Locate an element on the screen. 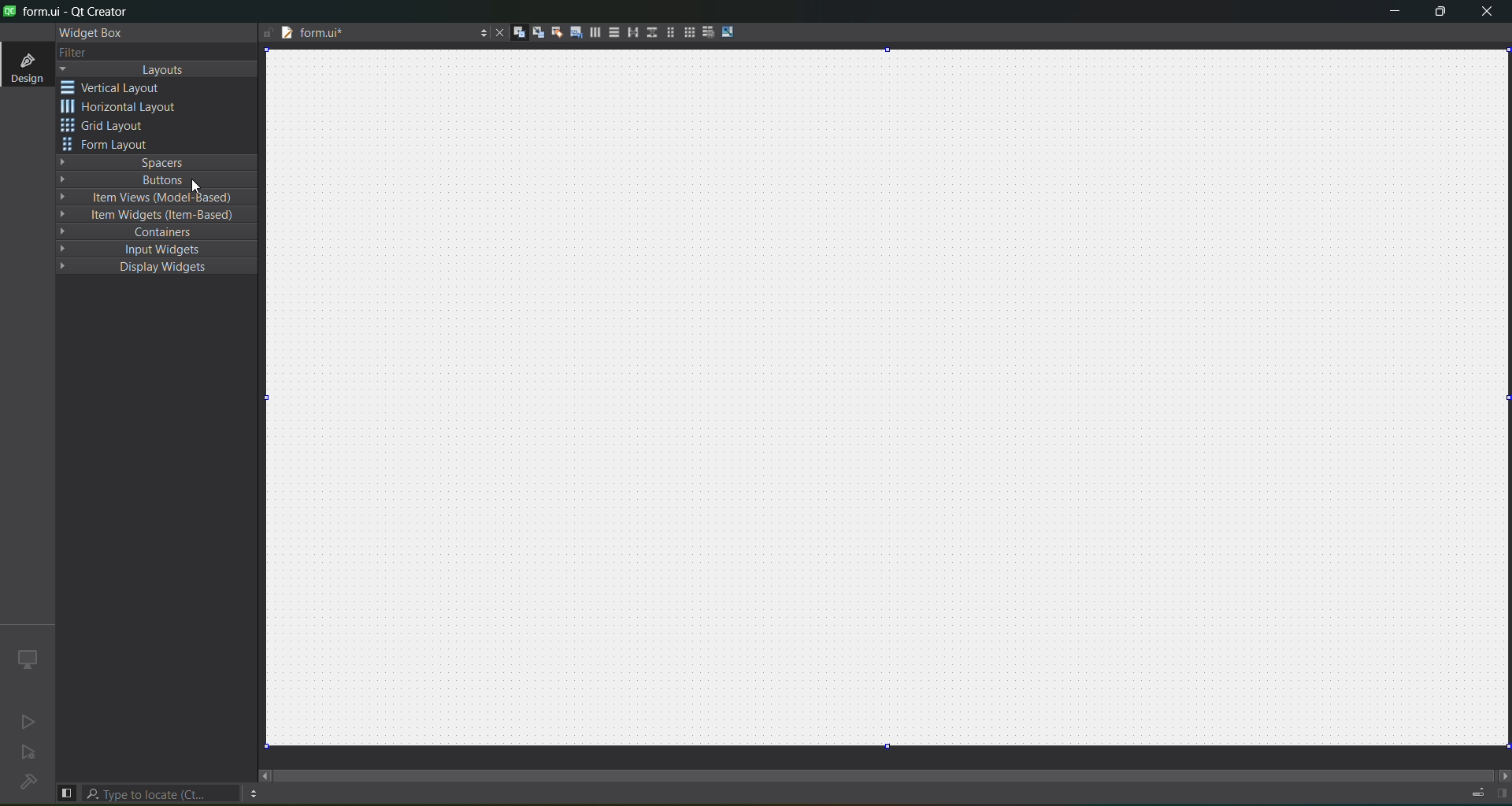  form layout is located at coordinates (667, 32).